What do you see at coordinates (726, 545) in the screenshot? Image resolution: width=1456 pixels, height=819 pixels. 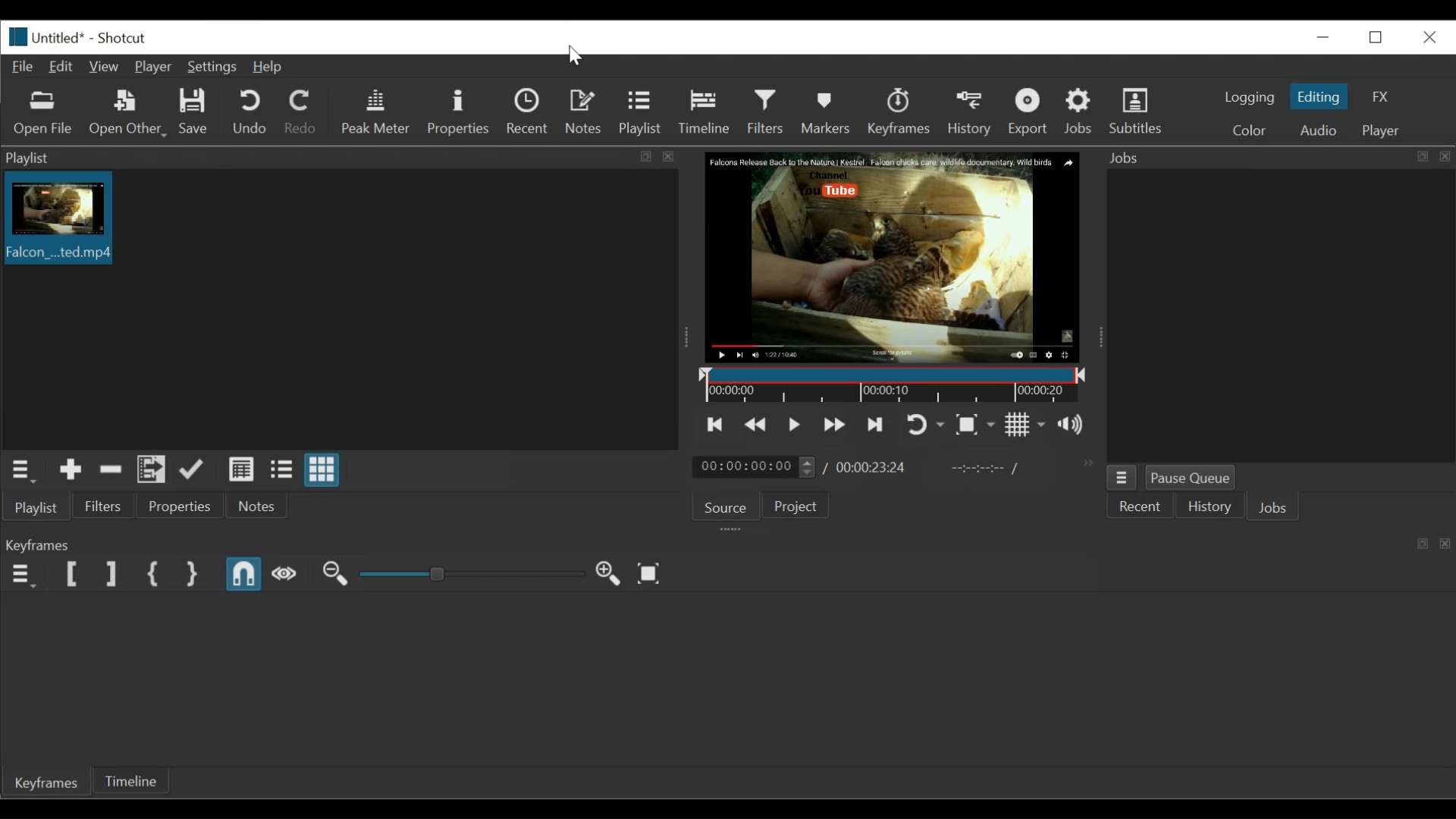 I see `Keyframe Panel` at bounding box center [726, 545].